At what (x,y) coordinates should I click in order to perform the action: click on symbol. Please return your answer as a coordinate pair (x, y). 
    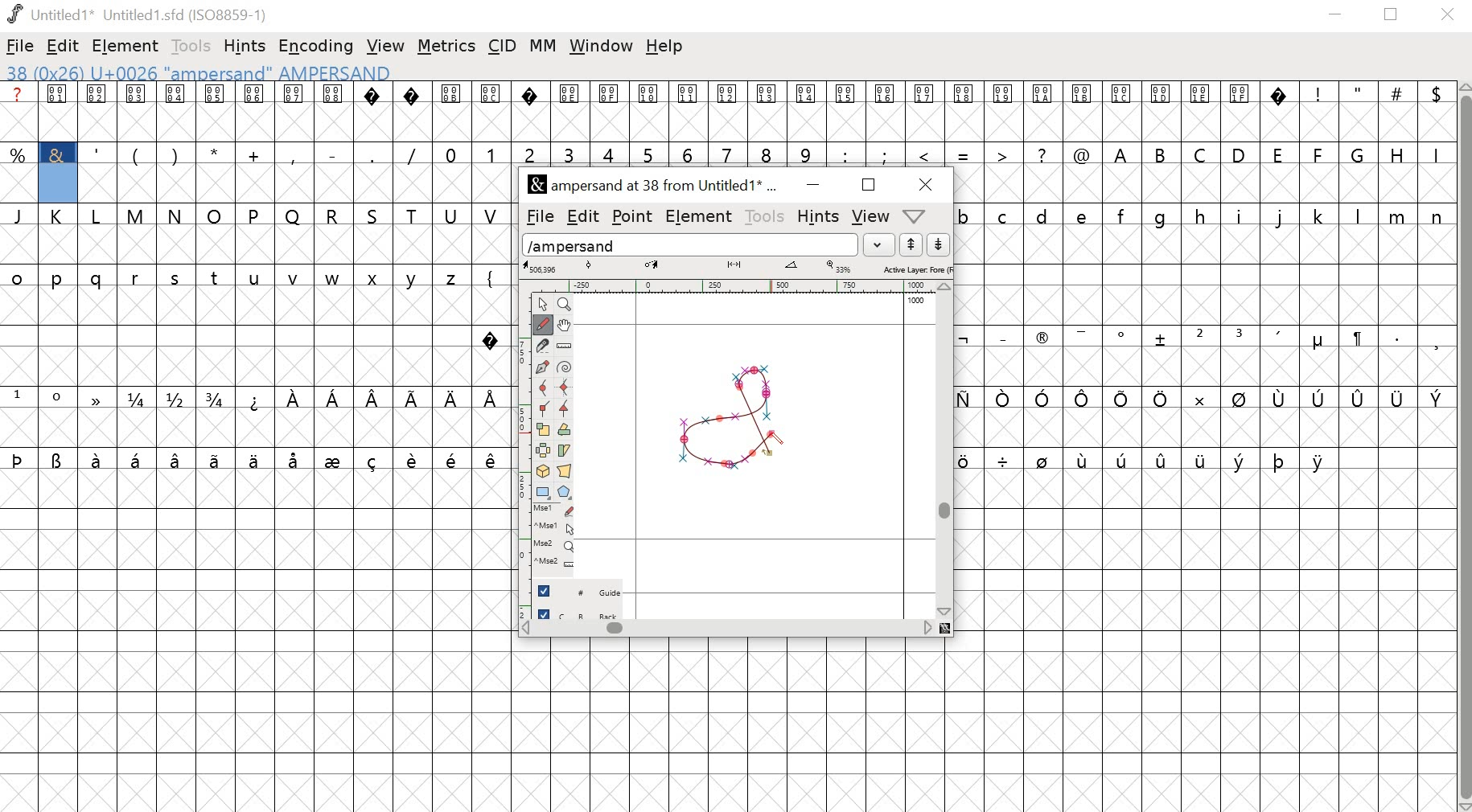
    Looking at the image, I should click on (413, 397).